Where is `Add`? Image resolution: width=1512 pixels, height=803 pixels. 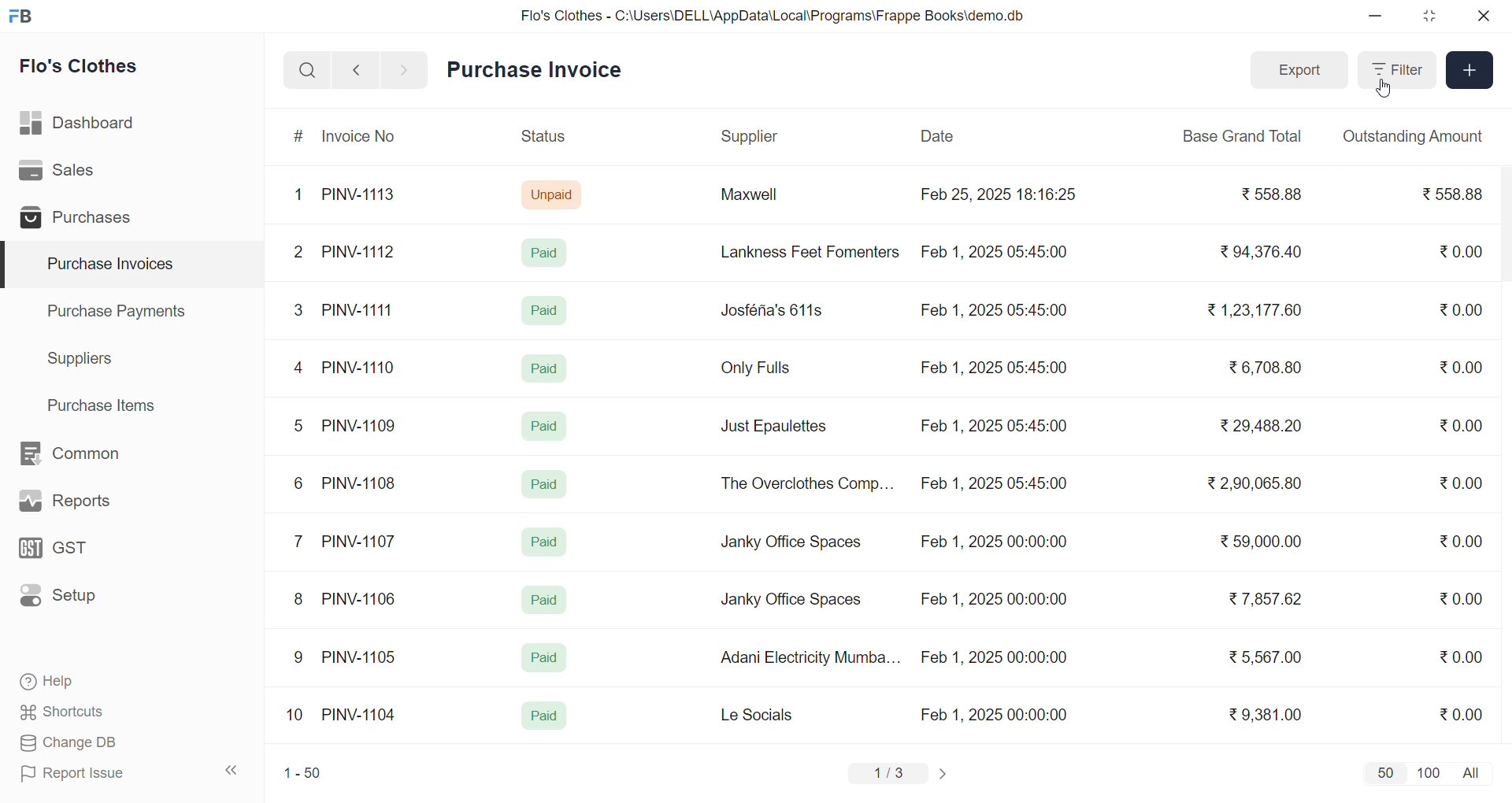 Add is located at coordinates (1470, 71).